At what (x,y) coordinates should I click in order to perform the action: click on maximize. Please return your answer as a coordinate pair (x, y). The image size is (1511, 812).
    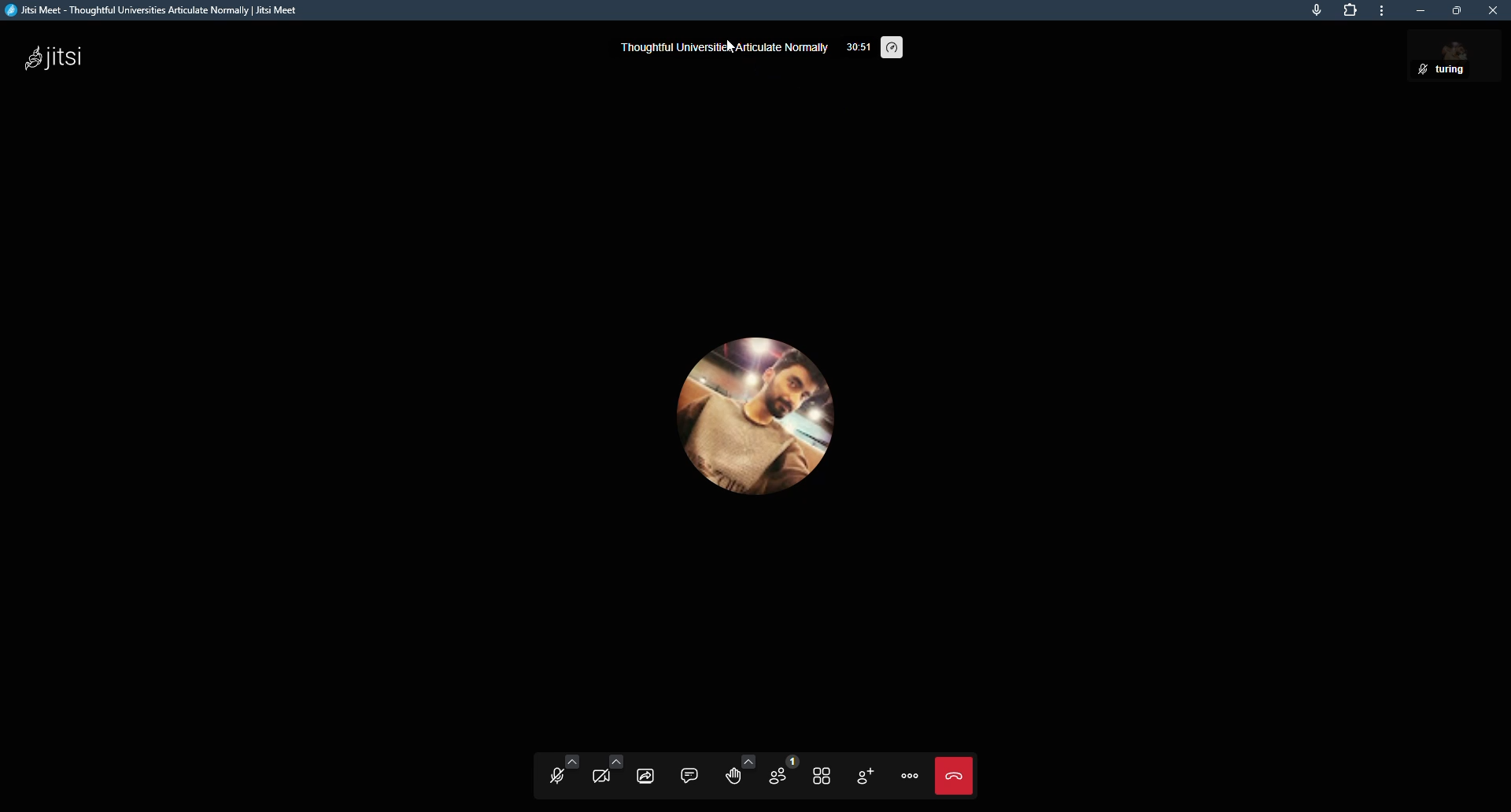
    Looking at the image, I should click on (1457, 12).